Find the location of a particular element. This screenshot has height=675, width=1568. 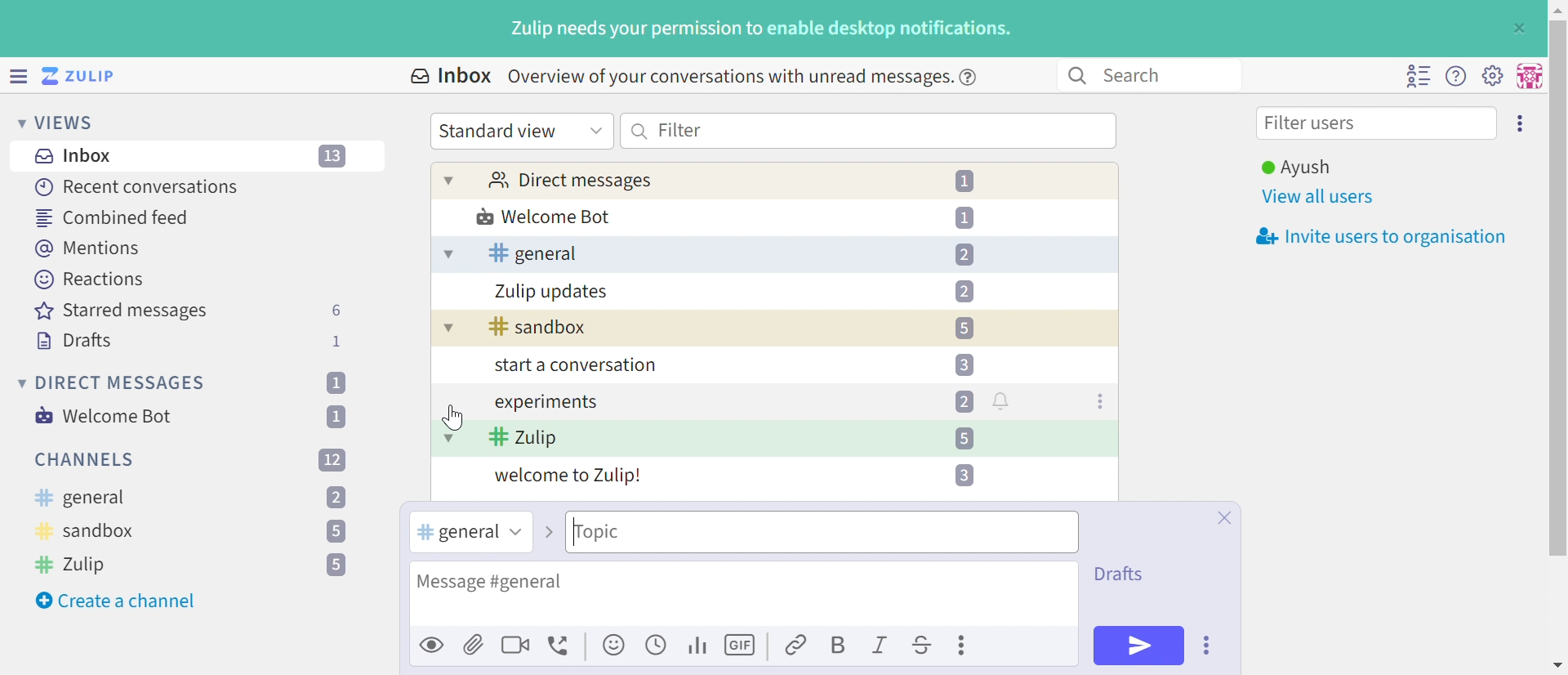

2 is located at coordinates (336, 498).